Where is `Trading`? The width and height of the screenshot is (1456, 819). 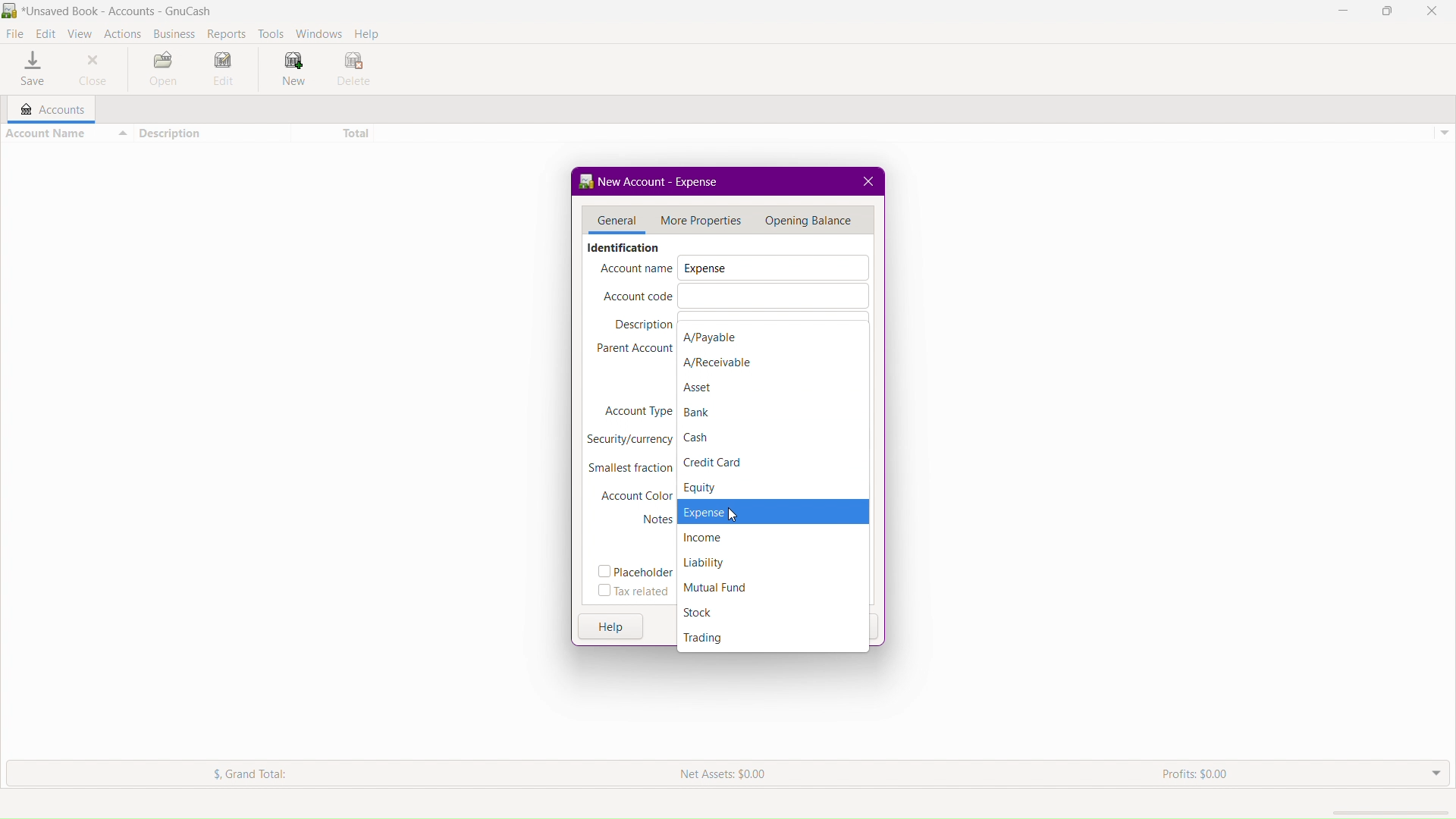 Trading is located at coordinates (704, 638).